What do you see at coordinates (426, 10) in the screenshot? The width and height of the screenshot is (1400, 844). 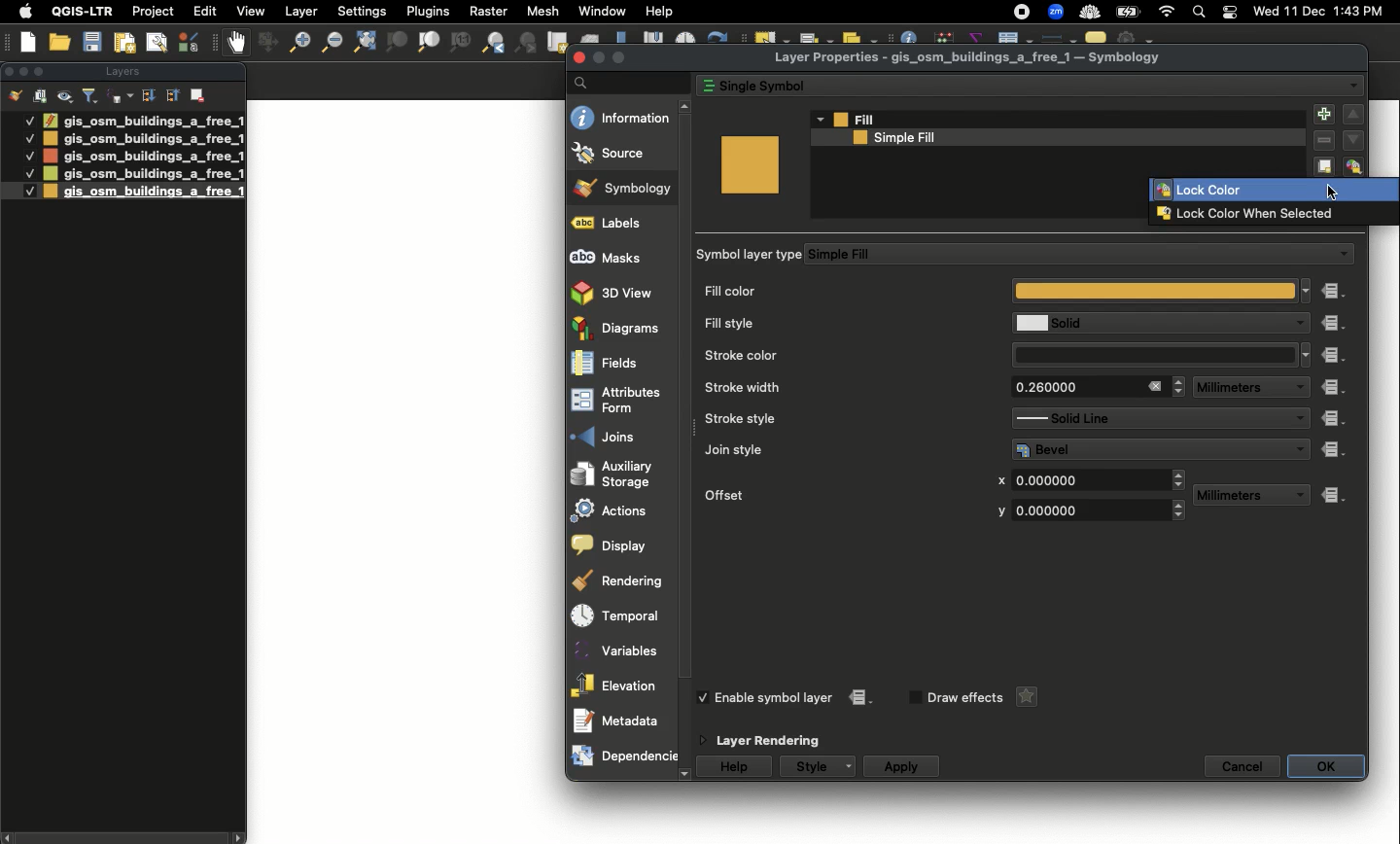 I see `Plugins` at bounding box center [426, 10].